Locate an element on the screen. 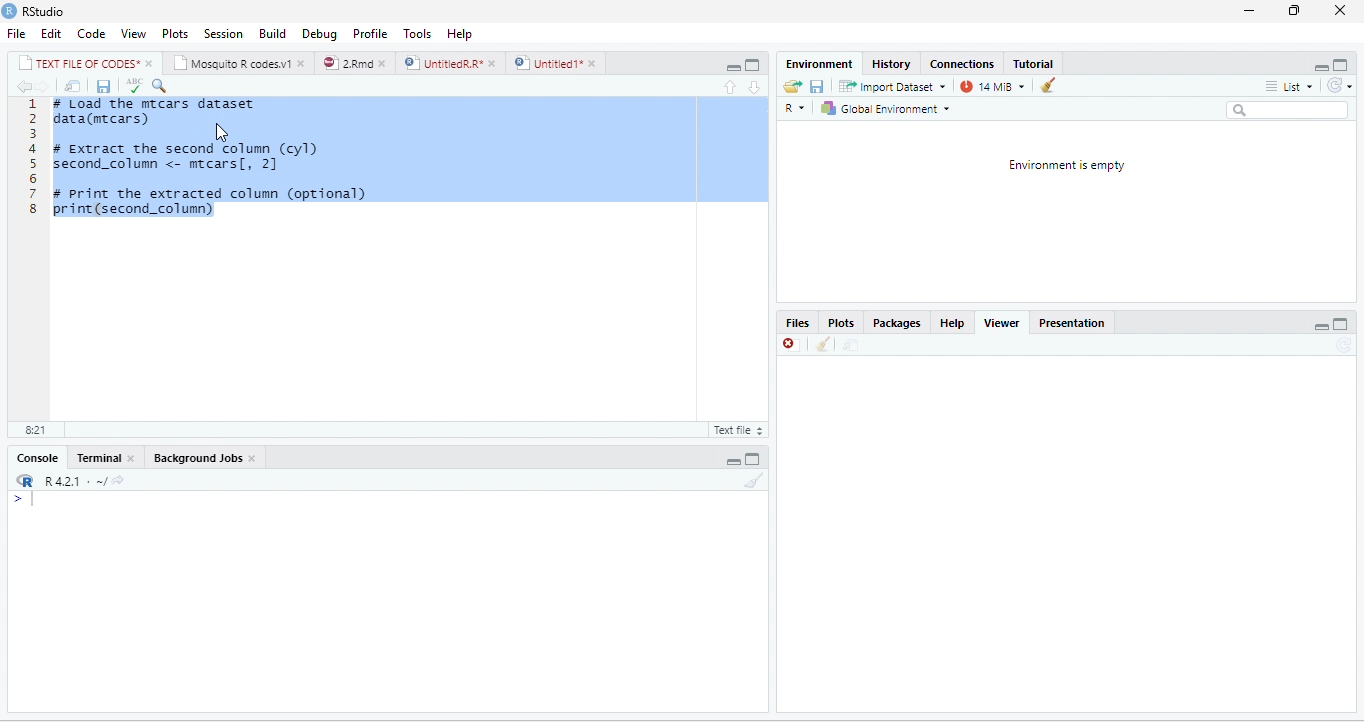 The image size is (1364, 722). minimize is located at coordinates (1323, 64).